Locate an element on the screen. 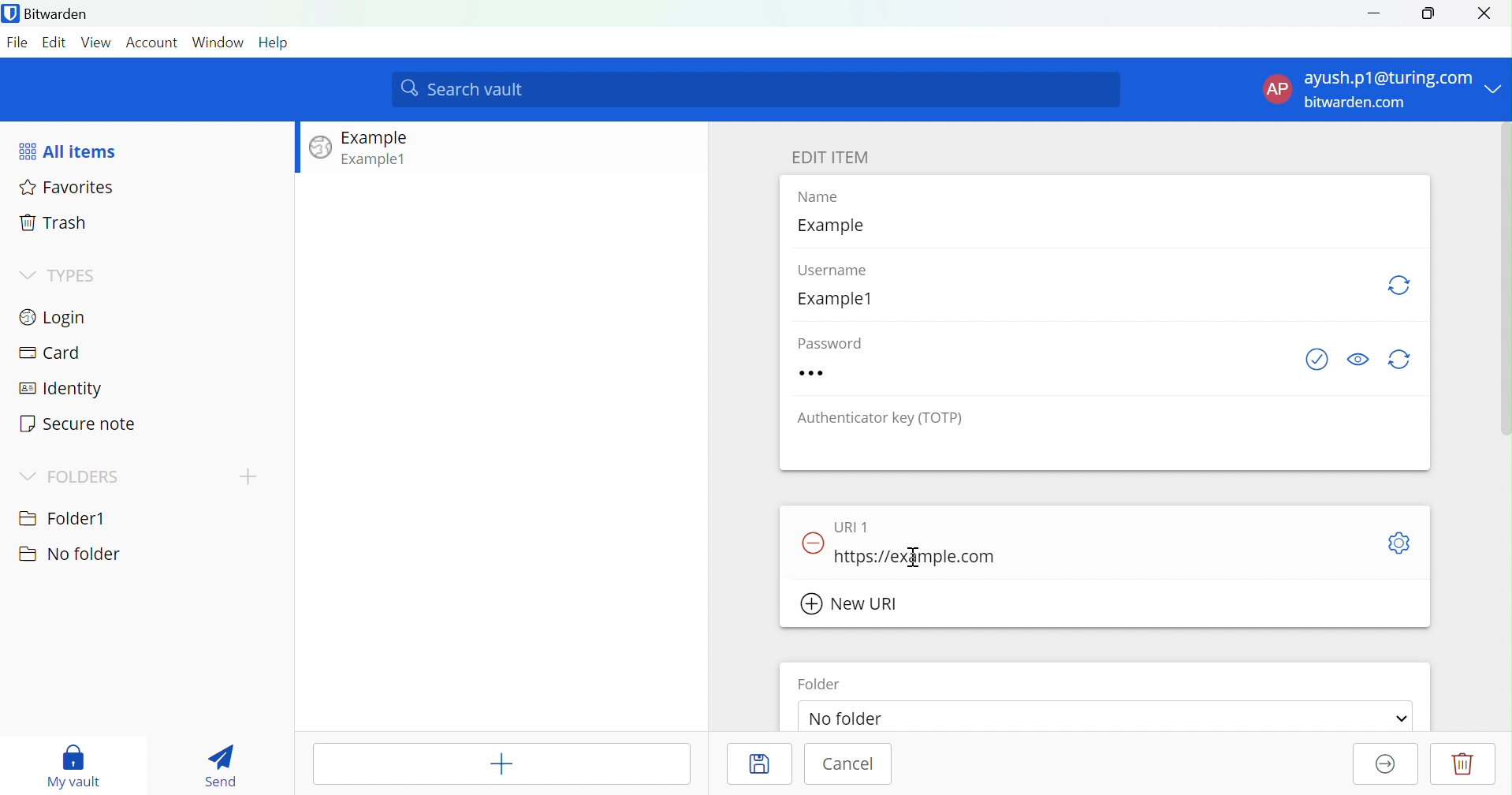 Image resolution: width=1512 pixels, height=795 pixels. TYPES is located at coordinates (74, 277).